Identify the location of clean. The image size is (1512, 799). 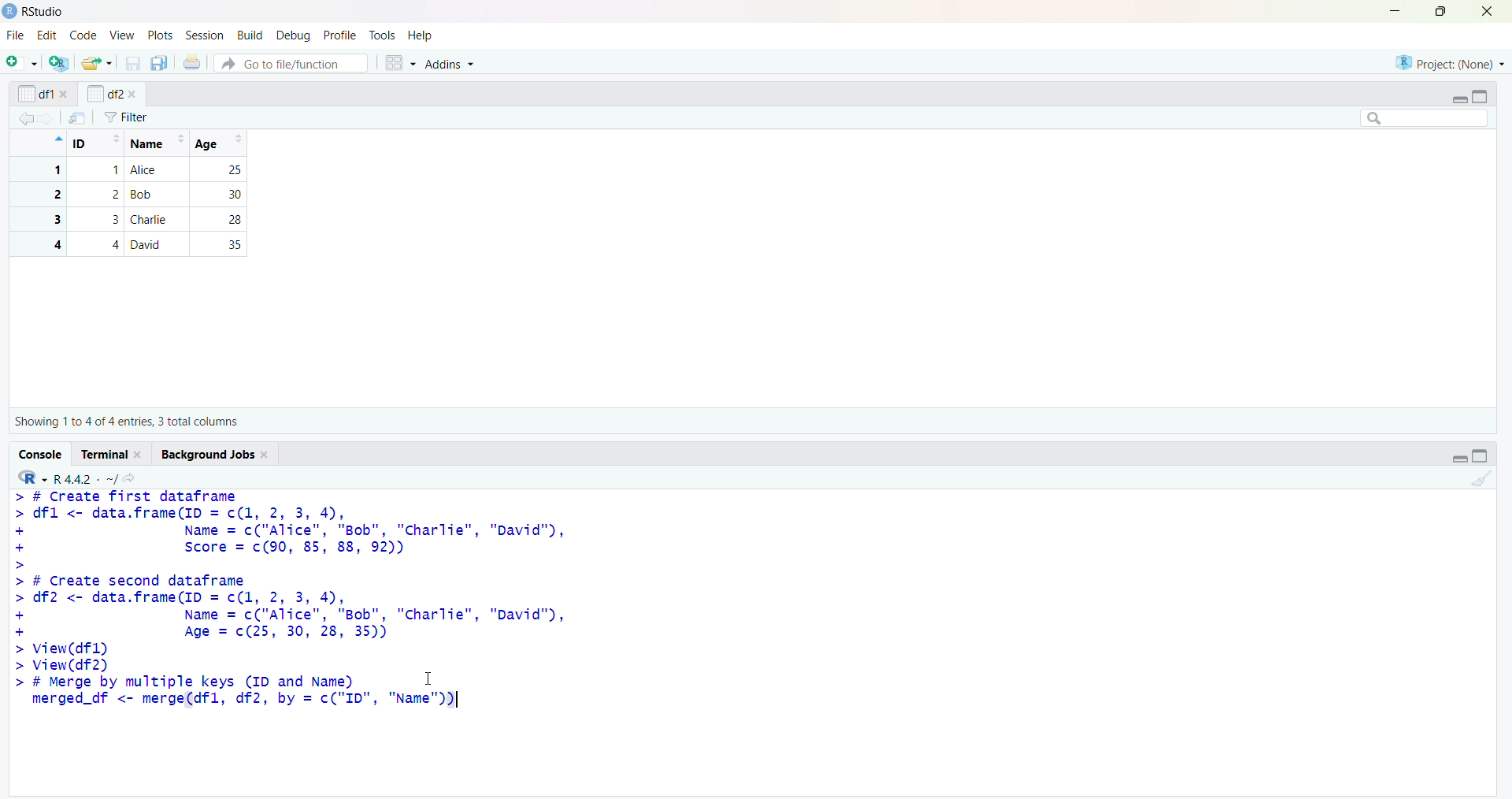
(1483, 479).